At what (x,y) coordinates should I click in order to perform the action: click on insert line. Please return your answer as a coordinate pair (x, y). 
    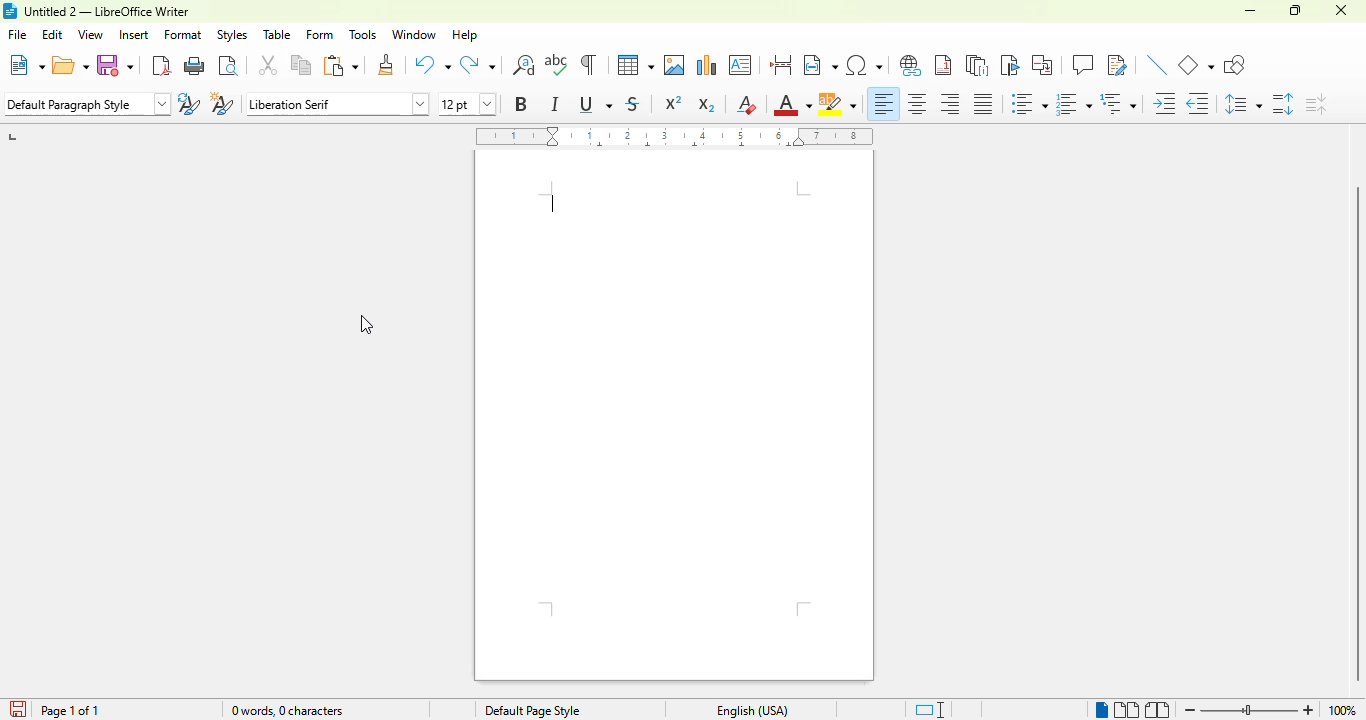
    Looking at the image, I should click on (1156, 64).